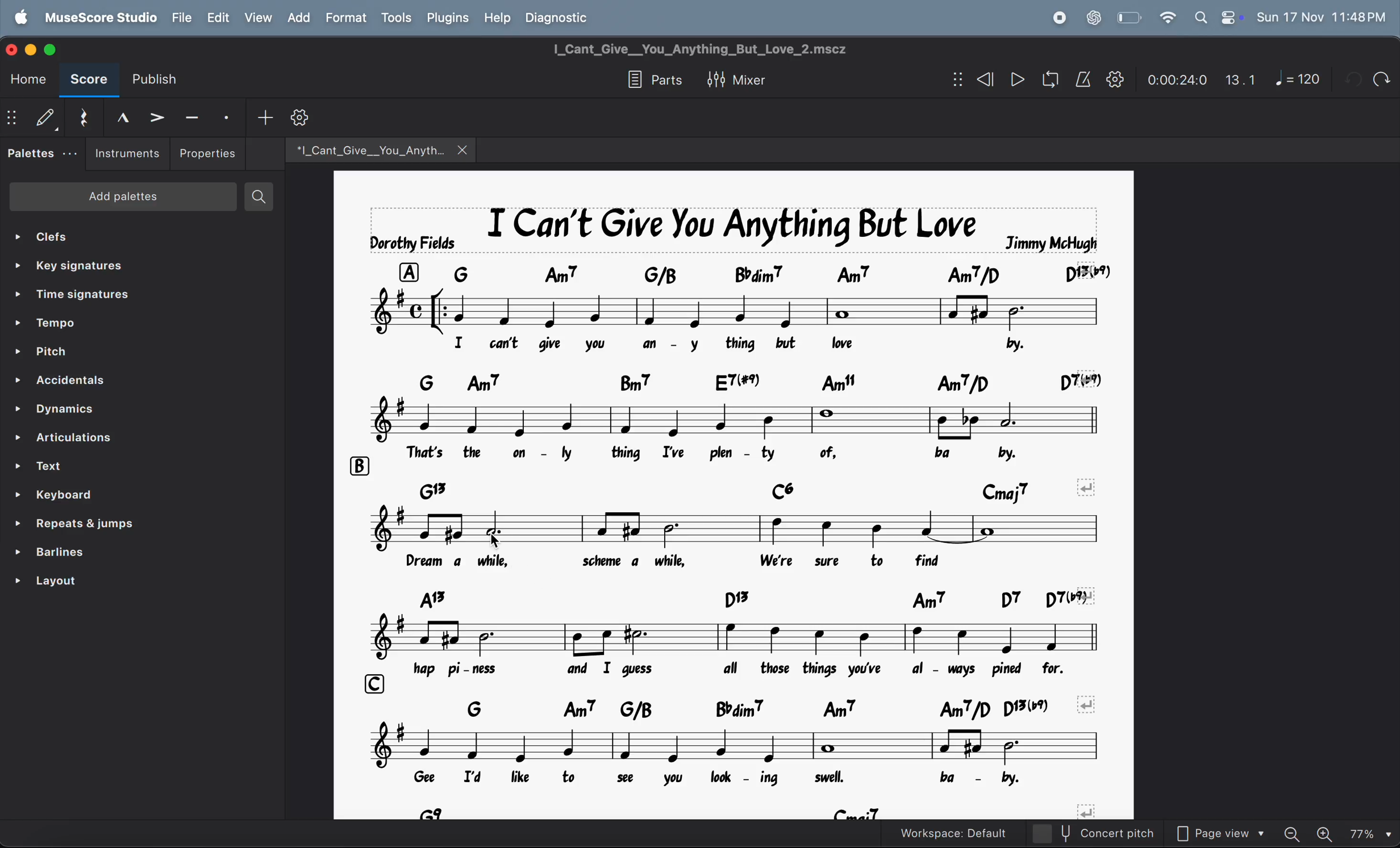 The image size is (1400, 848). Describe the element at coordinates (89, 82) in the screenshot. I see `score` at that location.